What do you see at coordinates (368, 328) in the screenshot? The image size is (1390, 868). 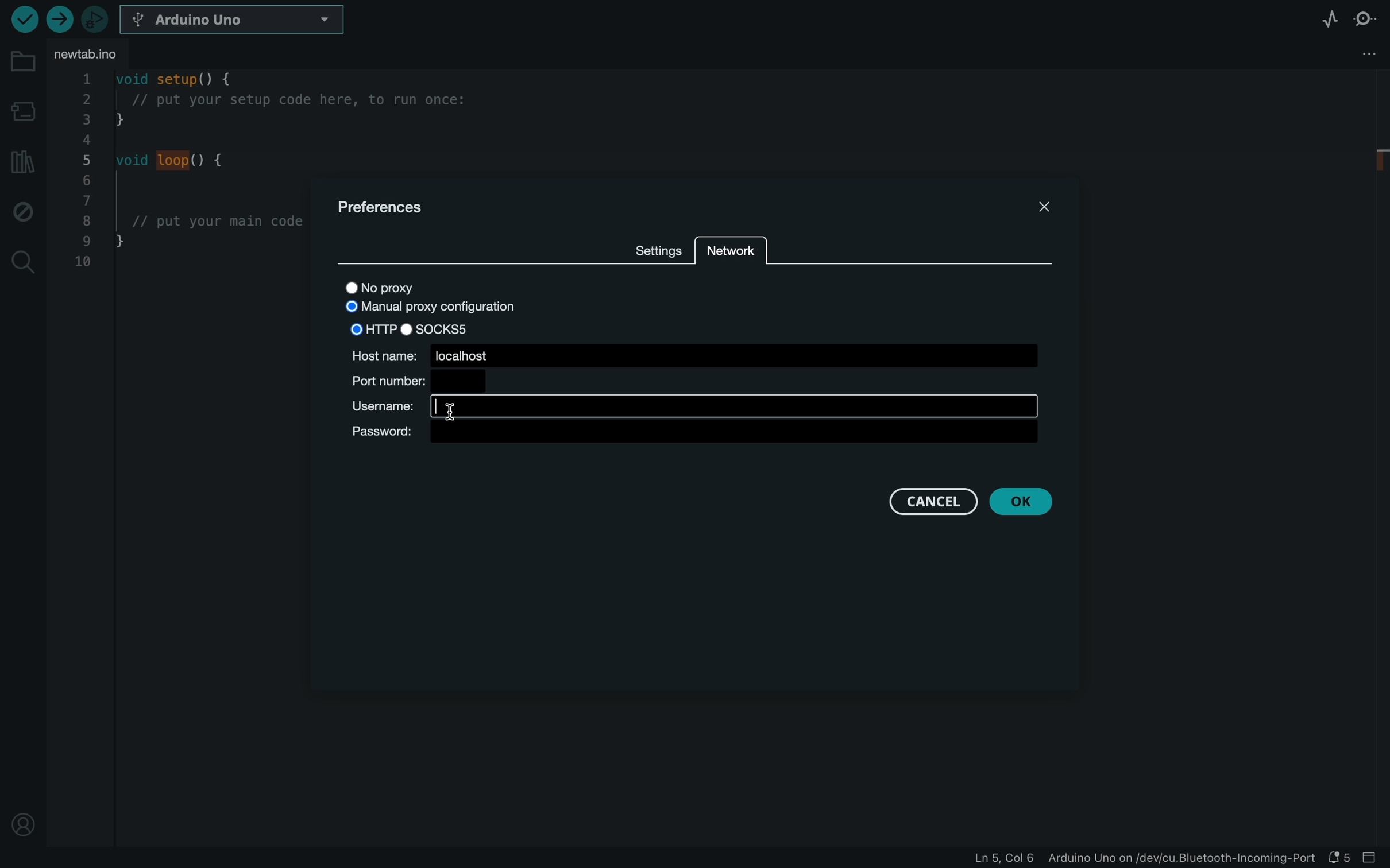 I see `HTTP` at bounding box center [368, 328].